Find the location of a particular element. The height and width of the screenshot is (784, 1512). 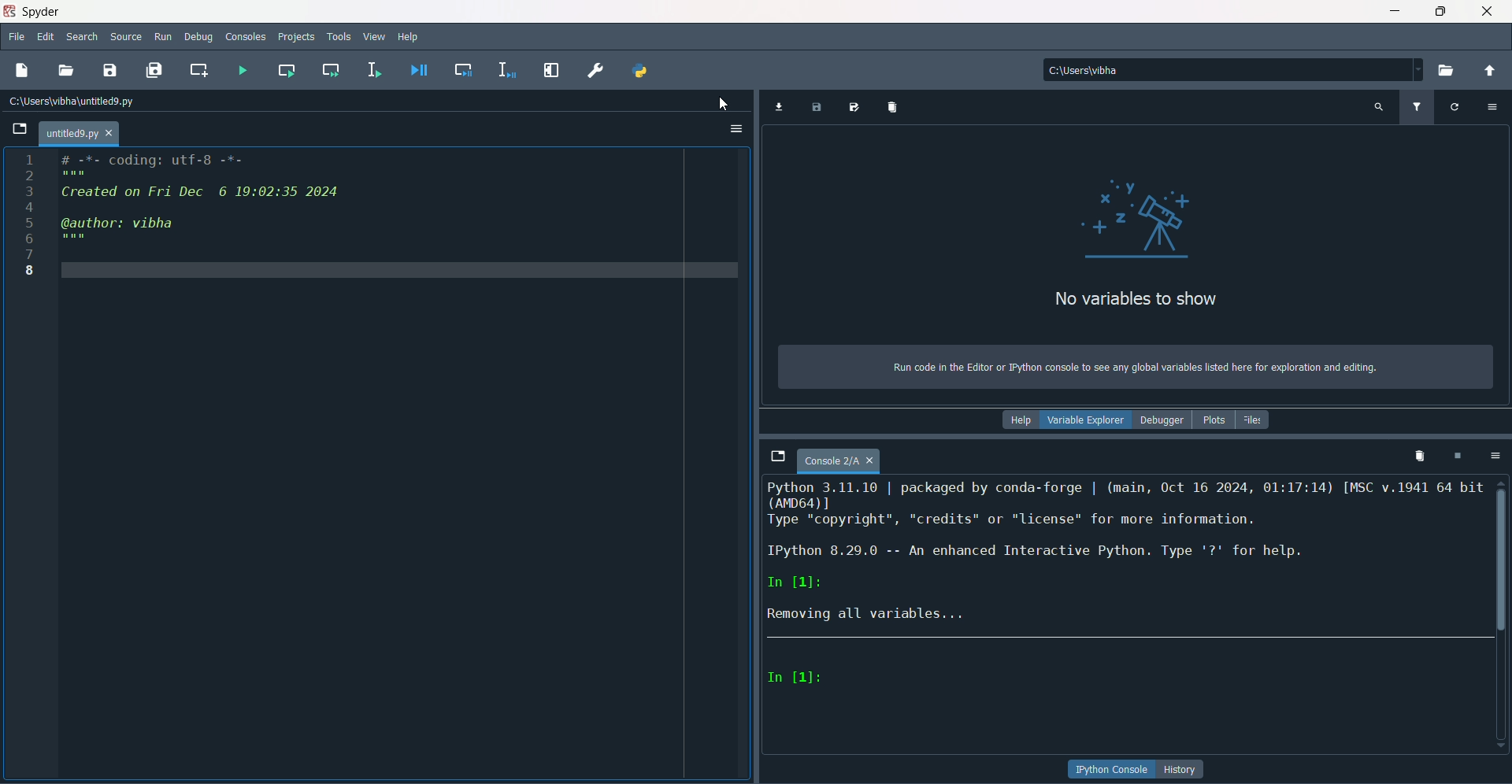

run selection is located at coordinates (374, 70).